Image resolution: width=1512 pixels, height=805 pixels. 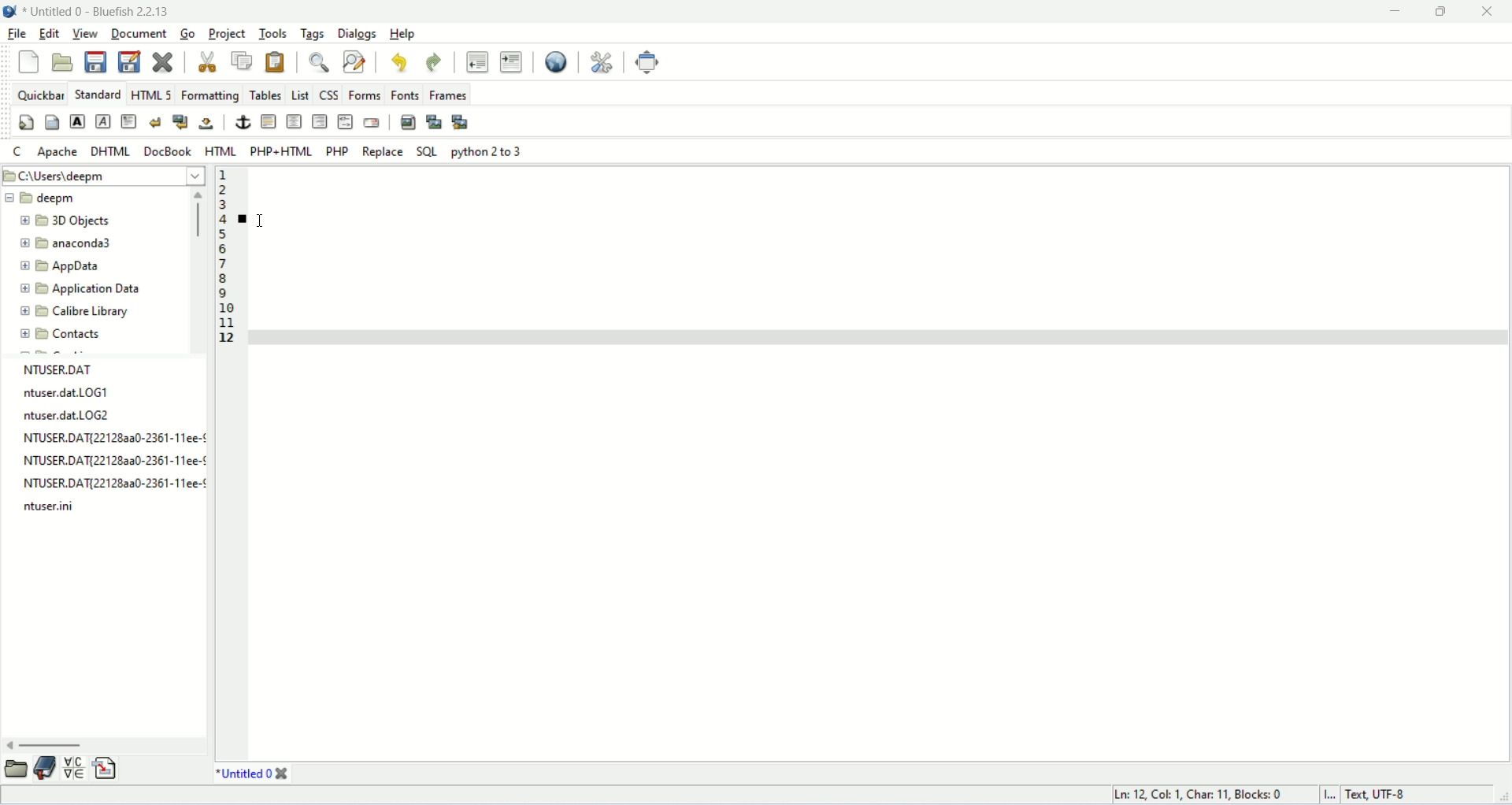 I want to click on edit, so click(x=50, y=32).